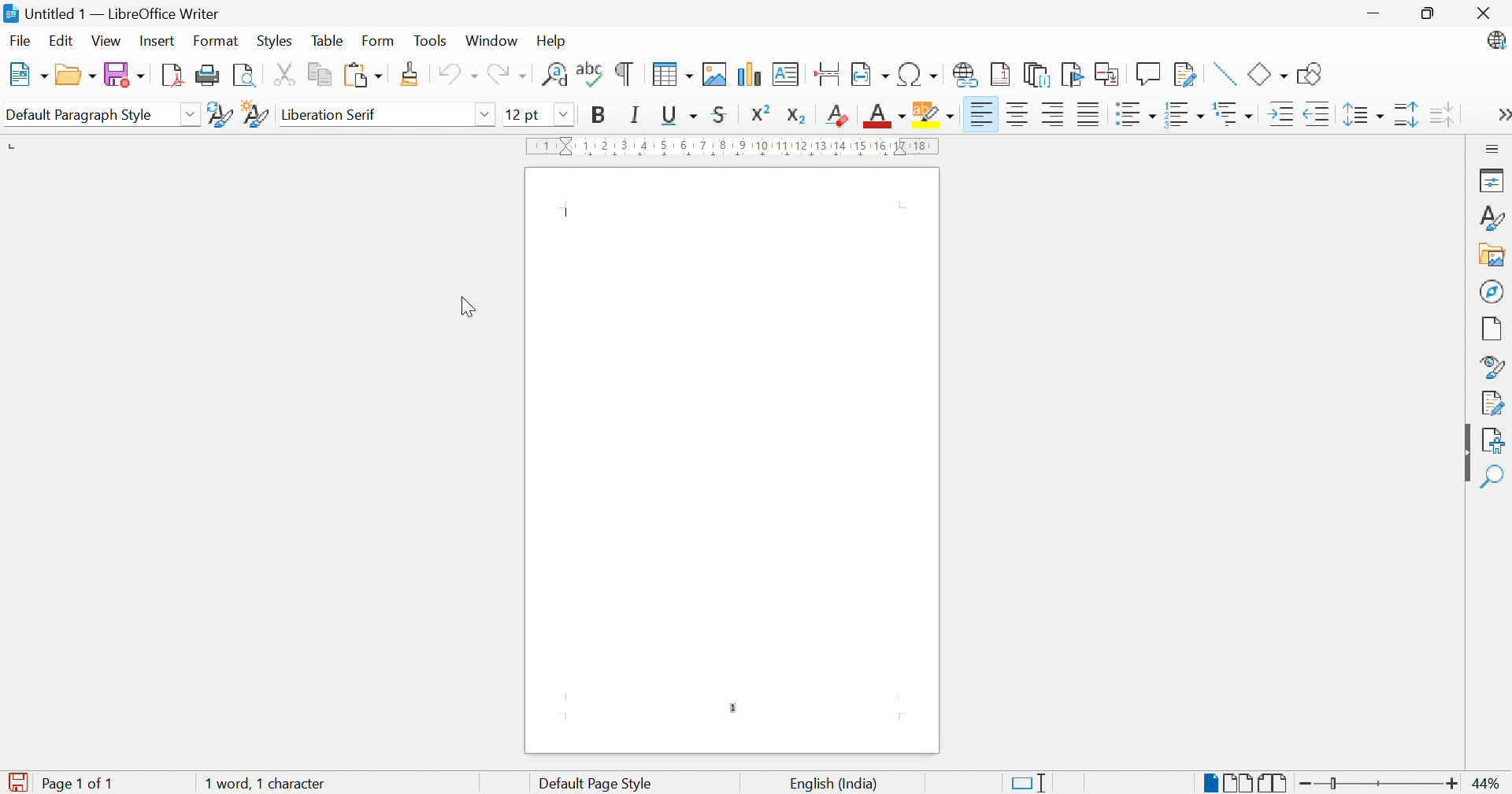 The height and width of the screenshot is (794, 1512). What do you see at coordinates (124, 74) in the screenshot?
I see `Save` at bounding box center [124, 74].